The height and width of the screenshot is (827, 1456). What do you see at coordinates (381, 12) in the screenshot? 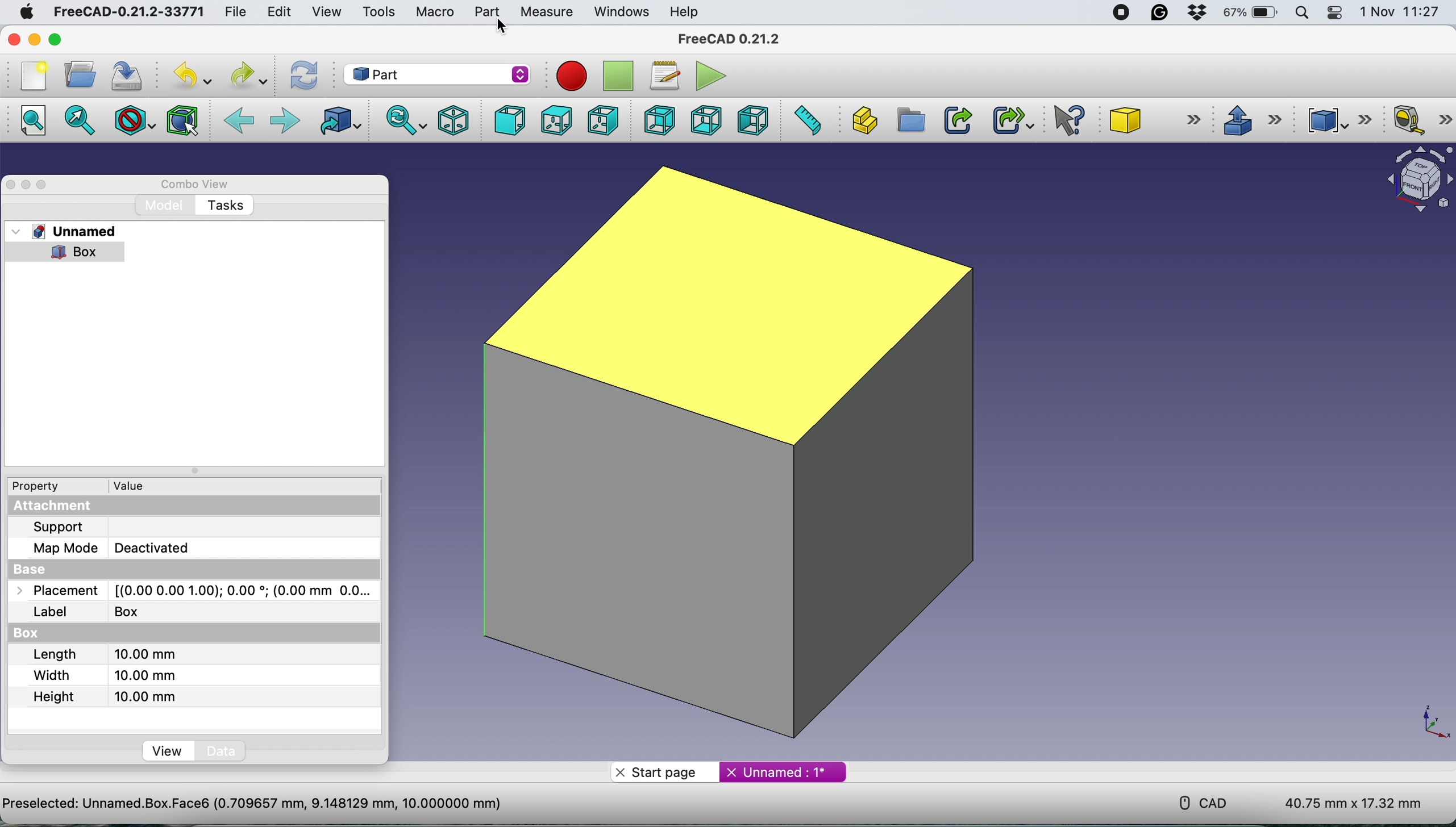
I see `tools` at bounding box center [381, 12].